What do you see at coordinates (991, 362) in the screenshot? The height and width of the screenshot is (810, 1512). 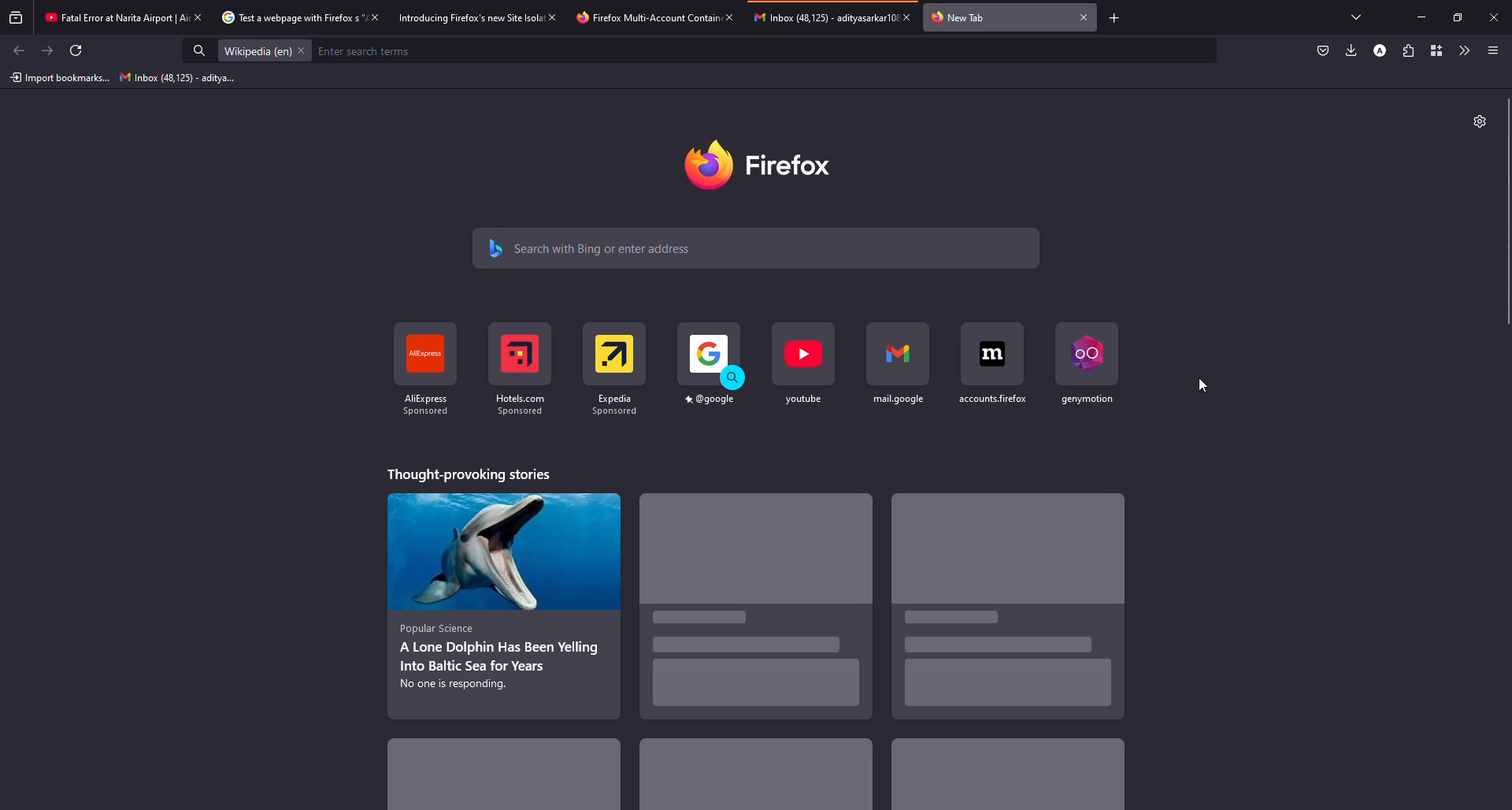 I see `accounts.firefox` at bounding box center [991, 362].